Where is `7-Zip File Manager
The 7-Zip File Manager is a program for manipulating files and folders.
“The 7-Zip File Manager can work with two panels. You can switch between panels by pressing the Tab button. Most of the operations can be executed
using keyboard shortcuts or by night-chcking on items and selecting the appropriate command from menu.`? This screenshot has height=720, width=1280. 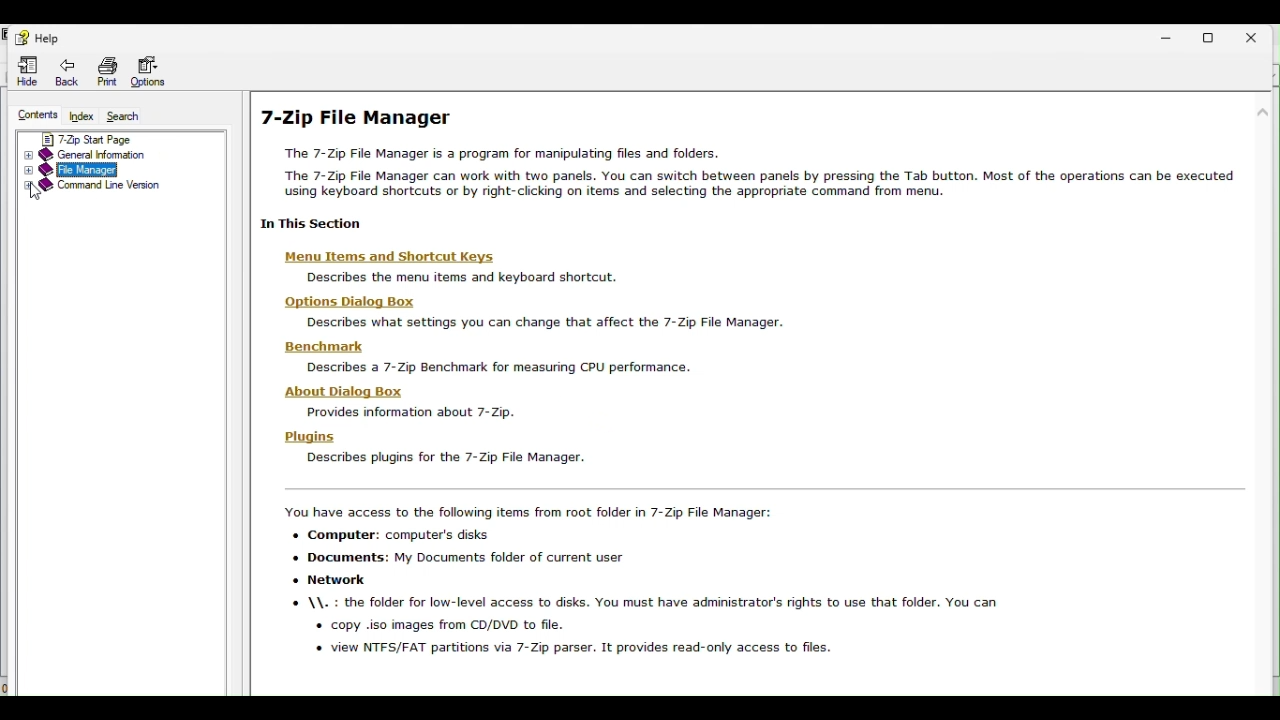 7-Zip File Manager
The 7-Zip File Manager is a program for manipulating files and folders.
“The 7-Zip File Manager can work with two panels. You can switch between panels by pressing the Tab button. Most of the operations can be executed
using keyboard shortcuts or by night-chcking on items and selecting the appropriate command from menu. is located at coordinates (744, 151).